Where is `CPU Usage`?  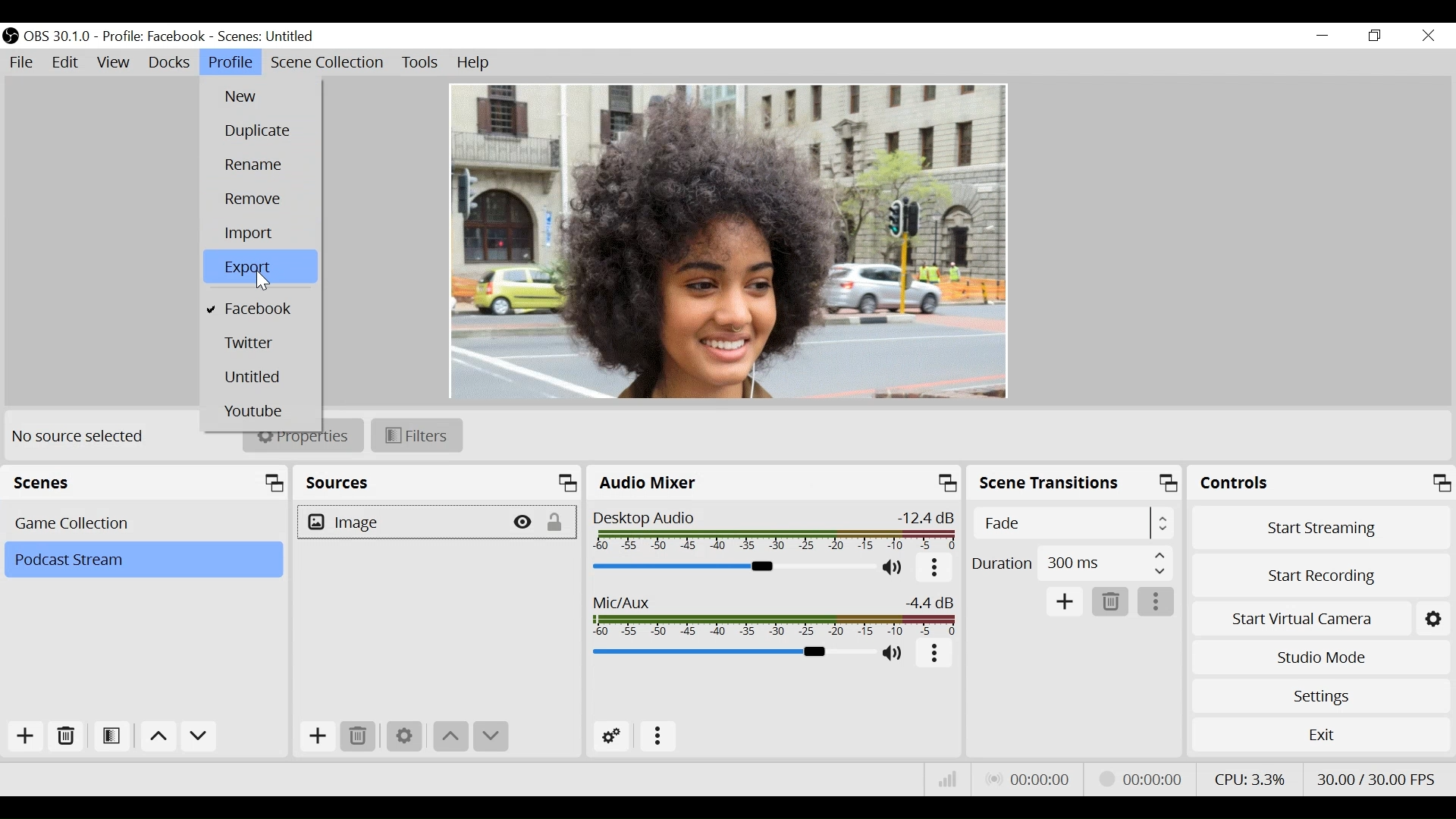 CPU Usage is located at coordinates (1250, 777).